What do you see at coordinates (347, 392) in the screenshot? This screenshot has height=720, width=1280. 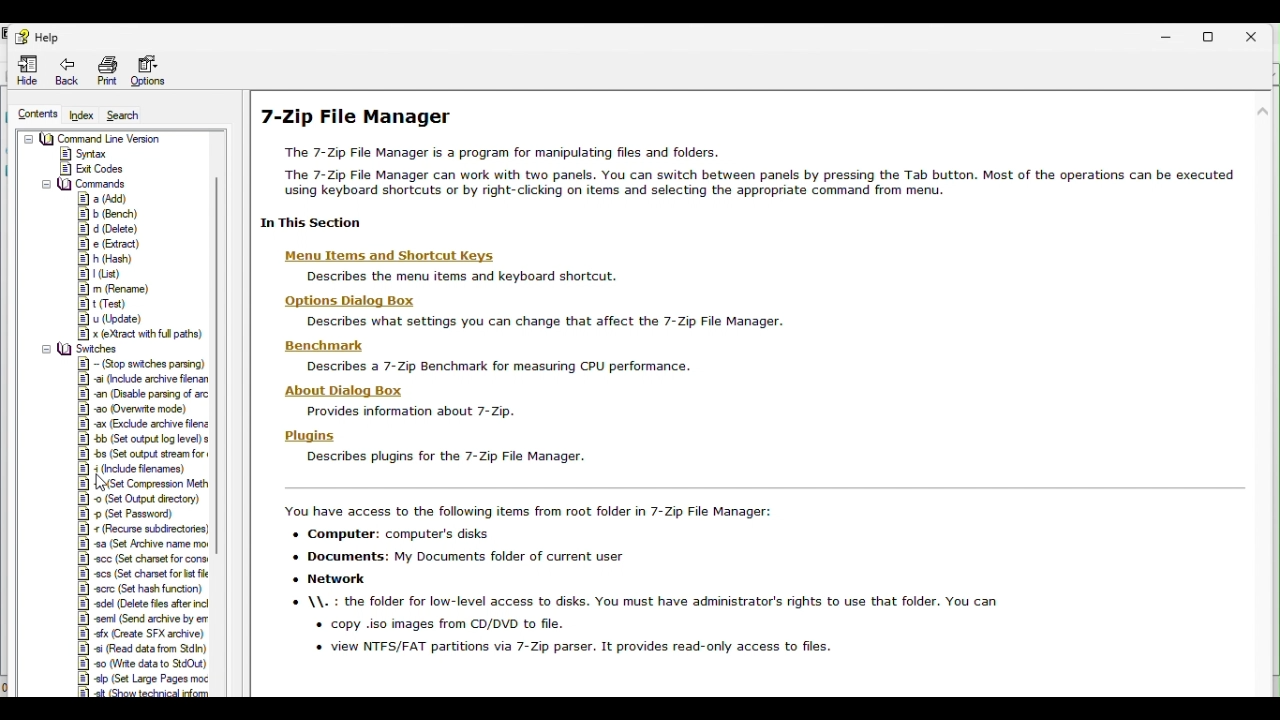 I see `about this` at bounding box center [347, 392].